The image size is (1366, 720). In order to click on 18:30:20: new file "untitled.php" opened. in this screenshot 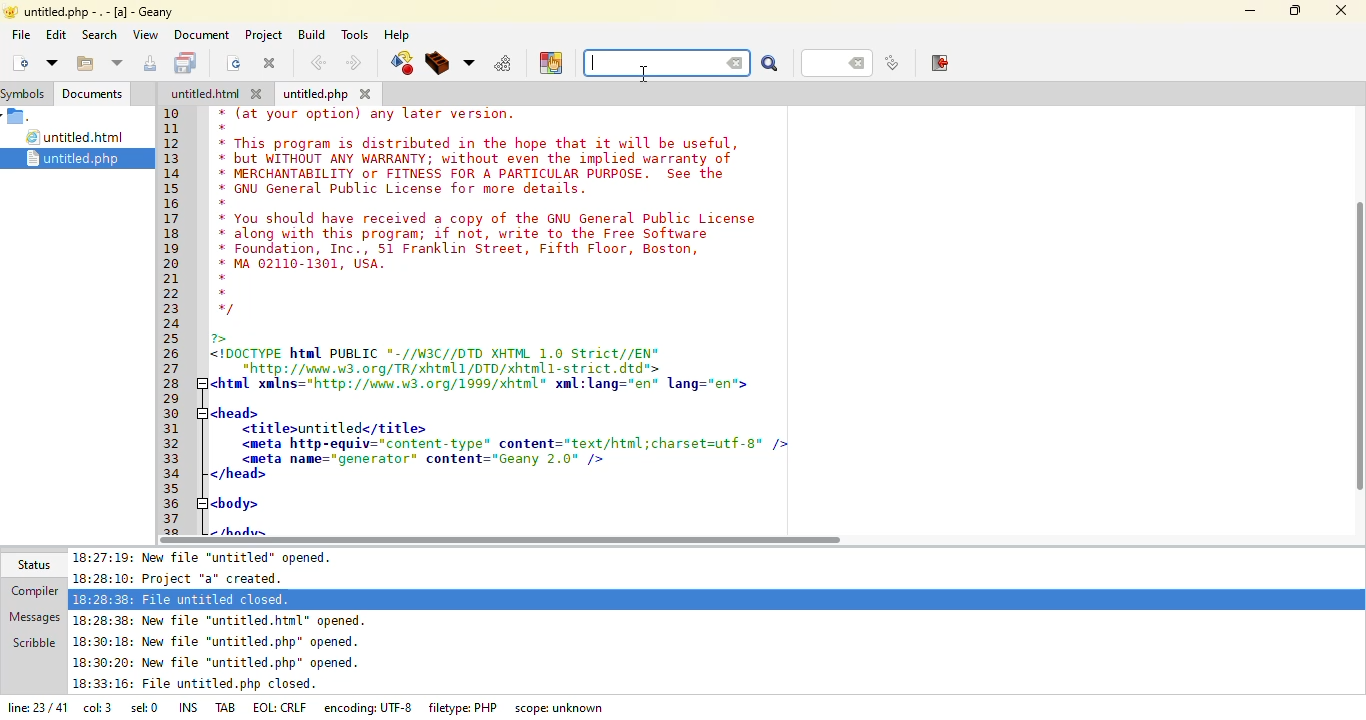, I will do `click(217, 665)`.